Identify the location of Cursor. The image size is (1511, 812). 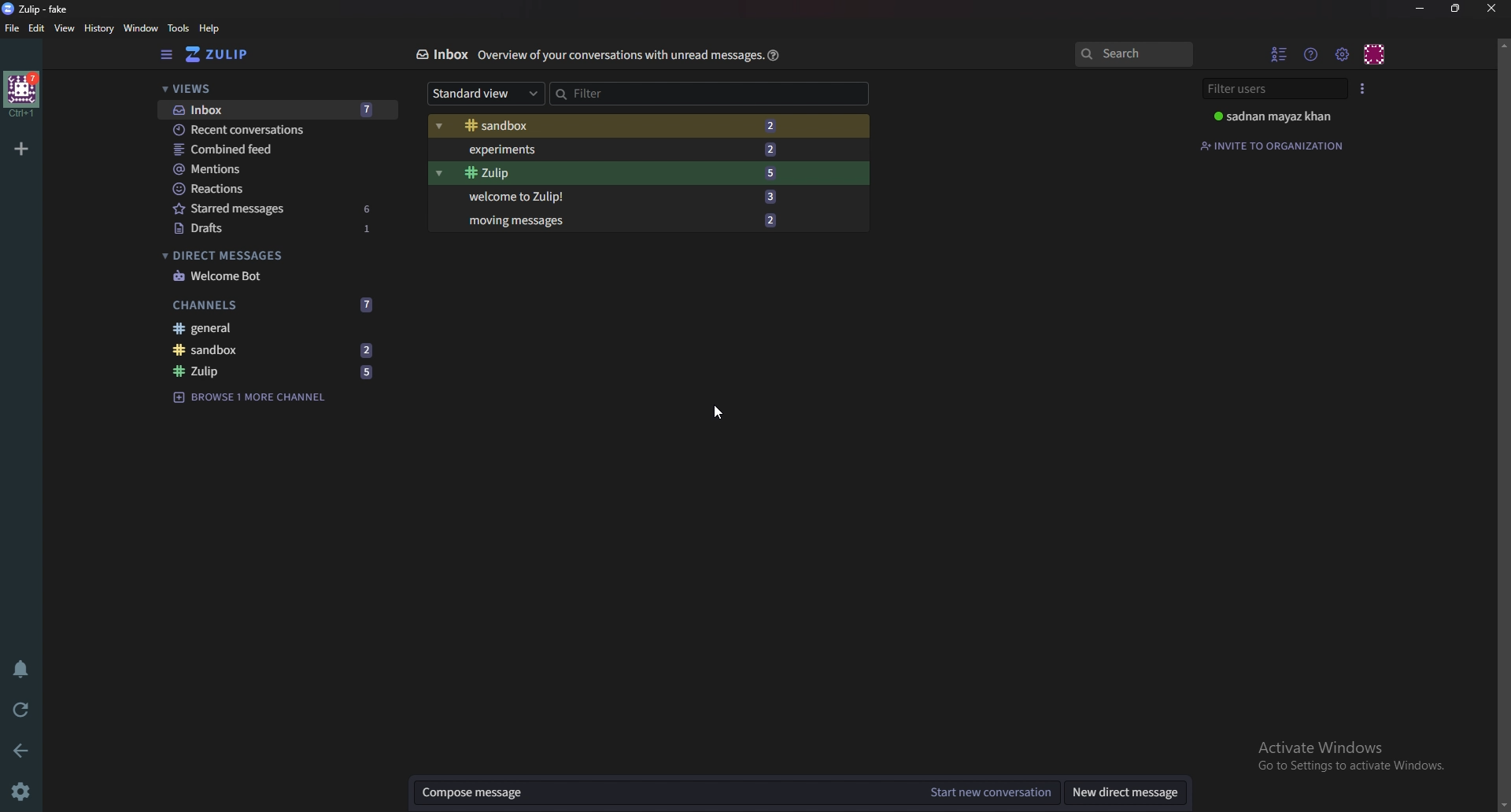
(716, 412).